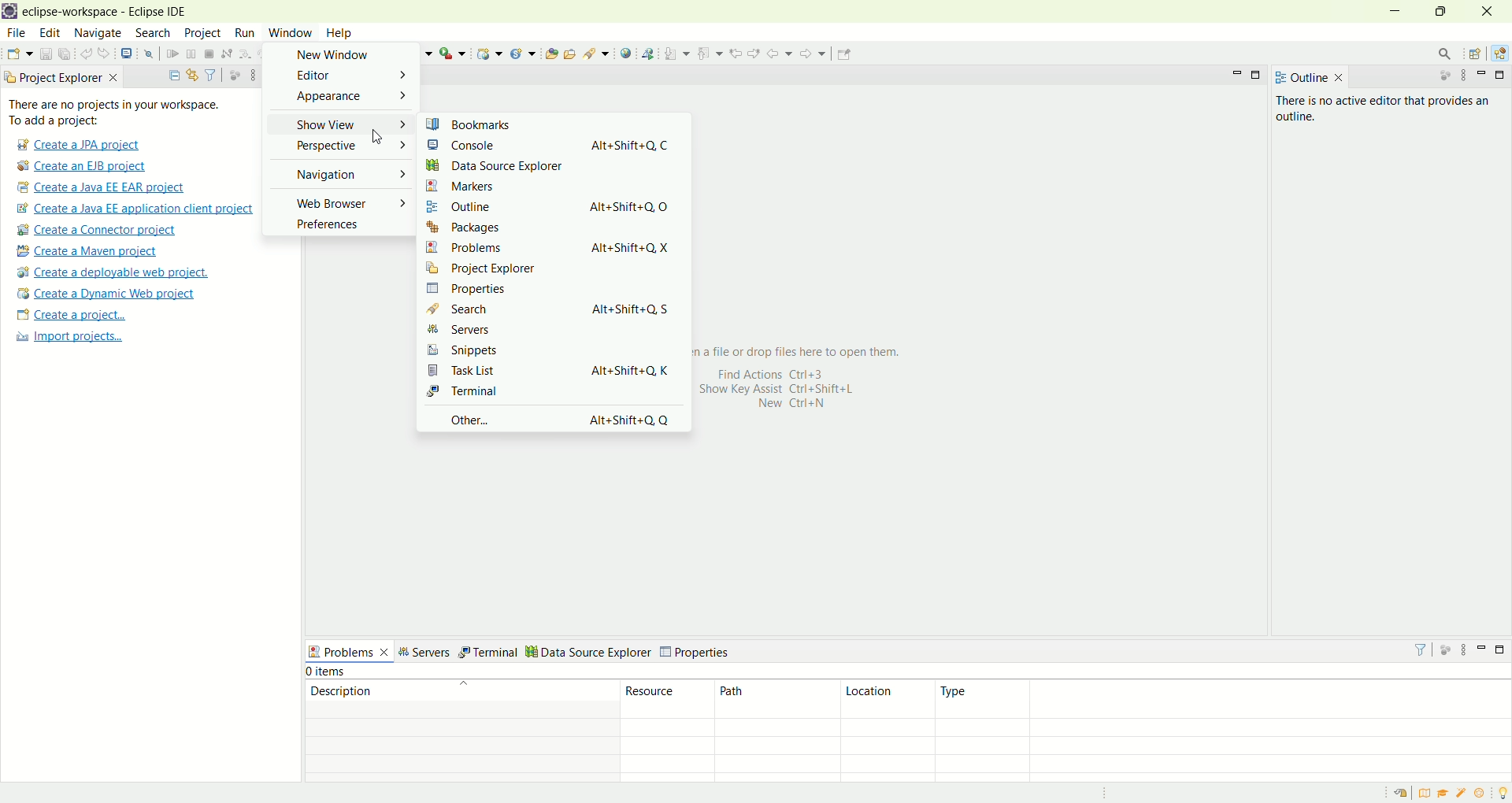 The width and height of the screenshot is (1512, 803). Describe the element at coordinates (550, 52) in the screenshot. I see `open type` at that location.